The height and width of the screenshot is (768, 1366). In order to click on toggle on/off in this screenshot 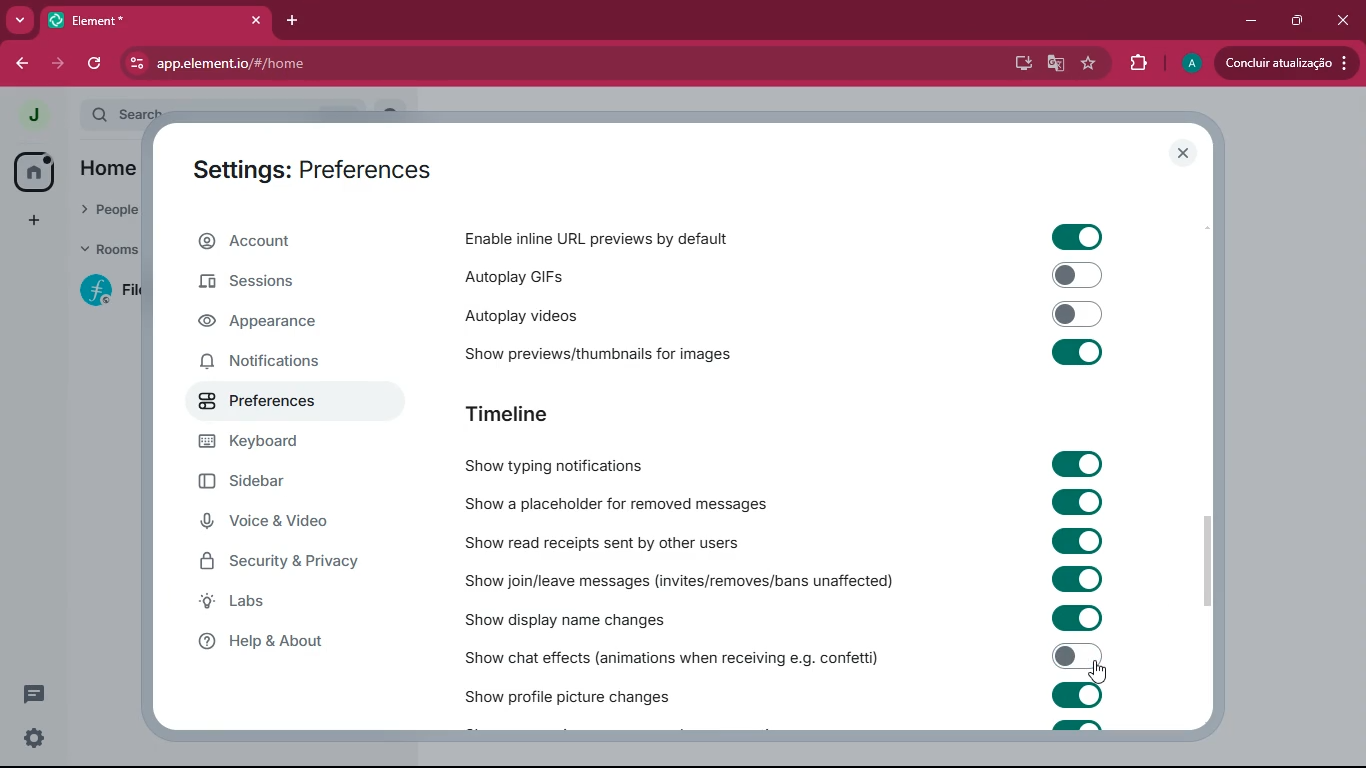, I will do `click(1079, 314)`.